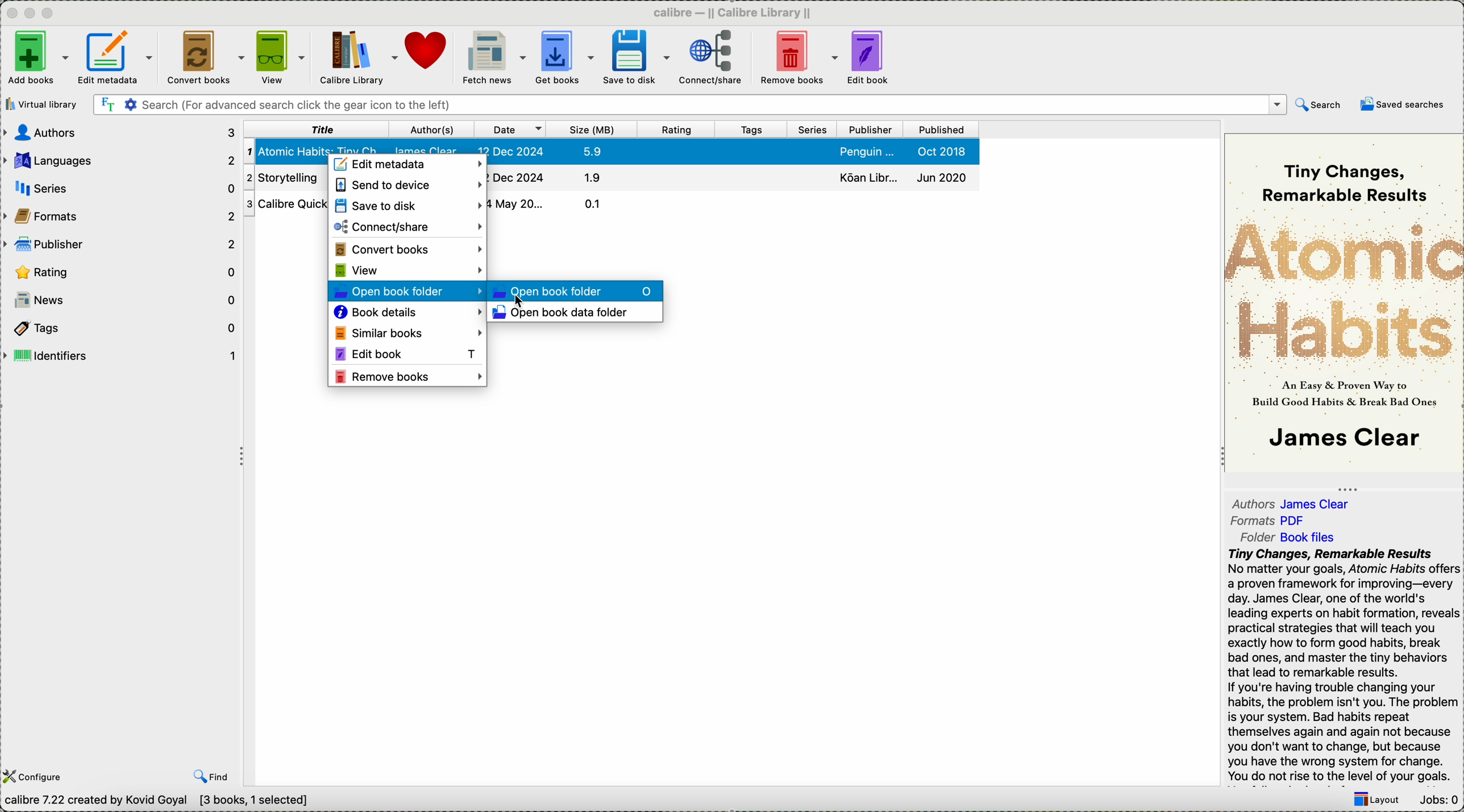 Image resolution: width=1464 pixels, height=812 pixels. I want to click on Jobs: 0, so click(1437, 801).